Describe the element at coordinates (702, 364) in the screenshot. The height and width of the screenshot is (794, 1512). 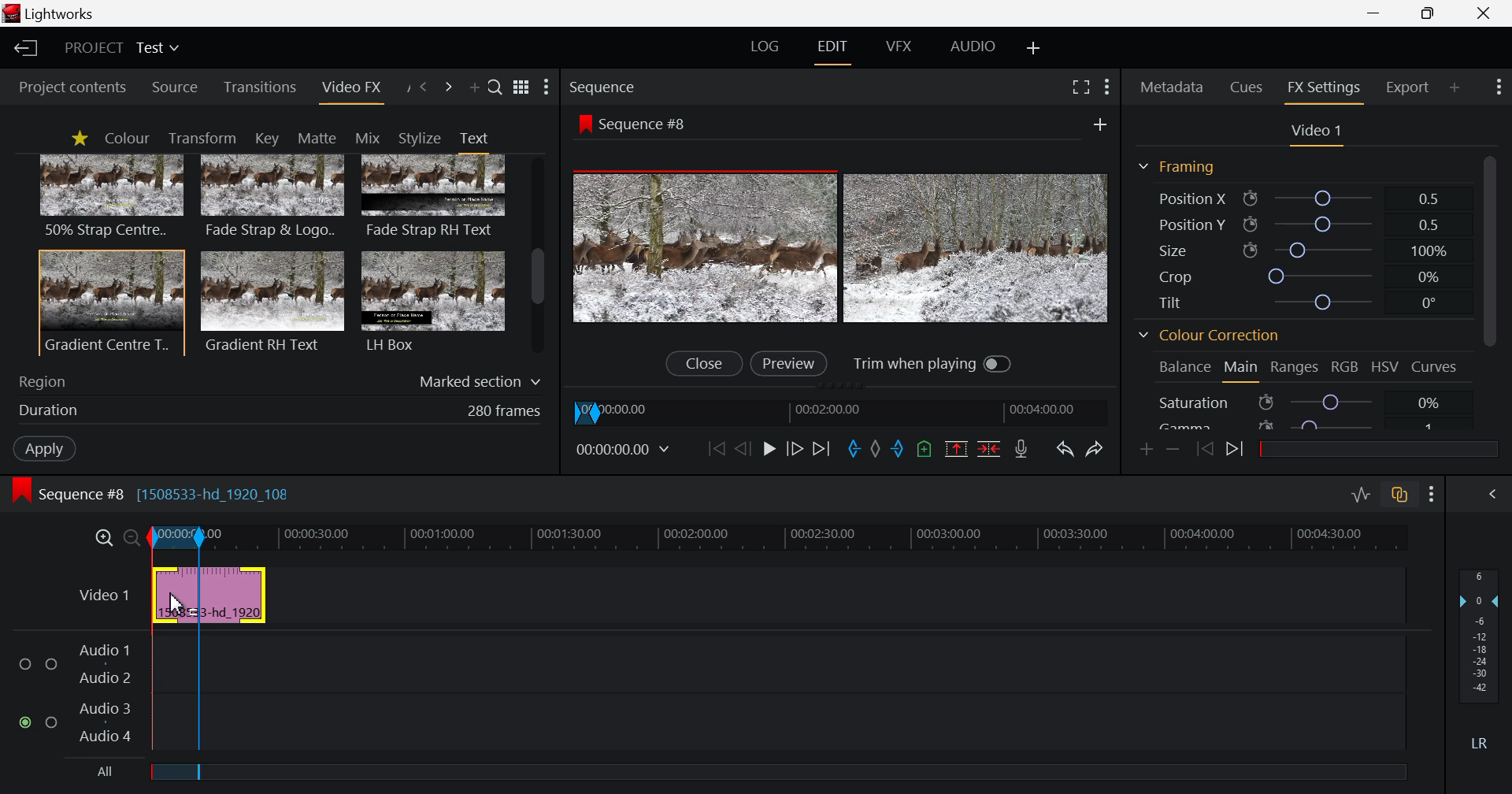
I see `Close` at that location.